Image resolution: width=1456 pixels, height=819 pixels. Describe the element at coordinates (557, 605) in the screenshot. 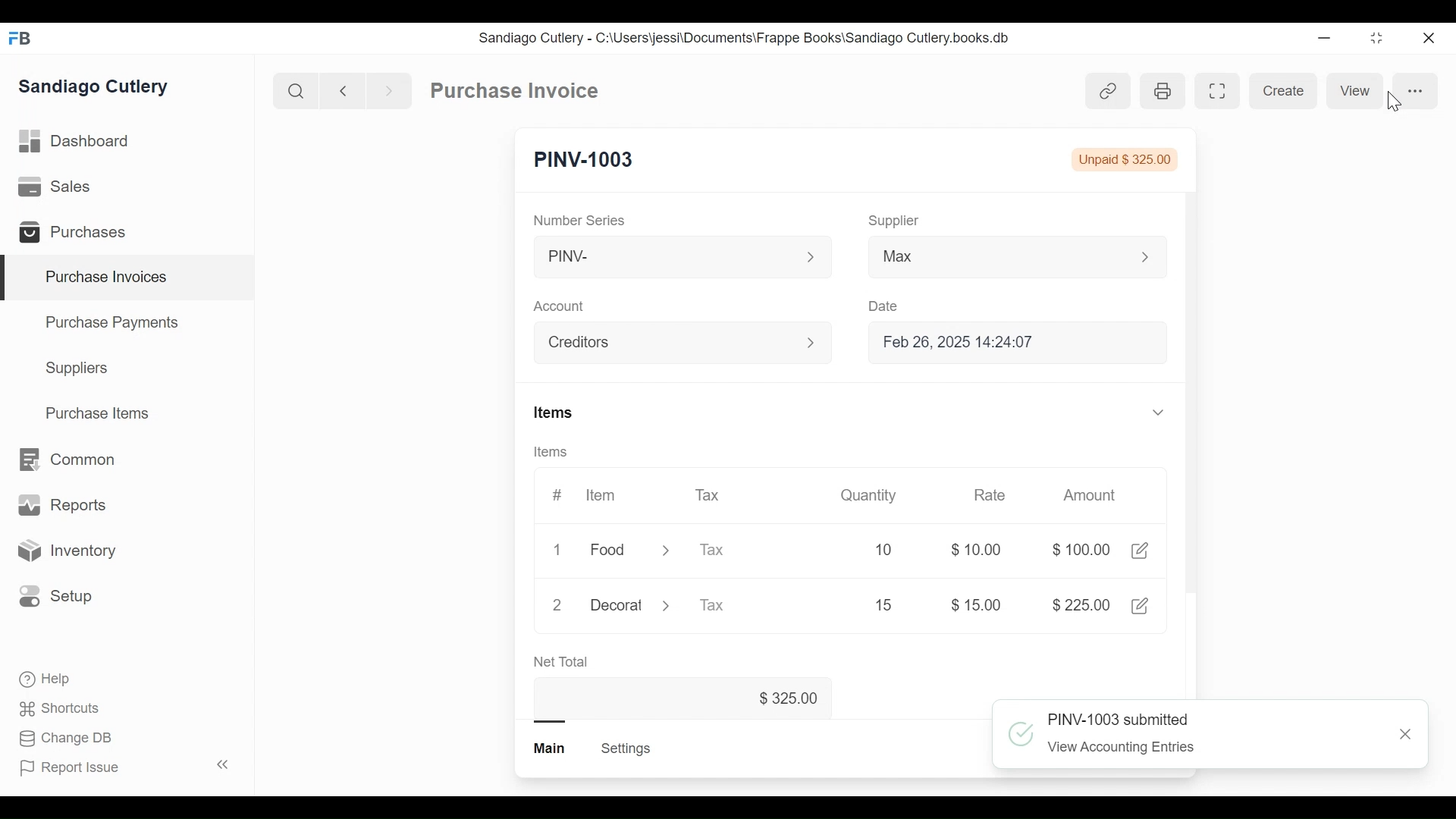

I see `2` at that location.